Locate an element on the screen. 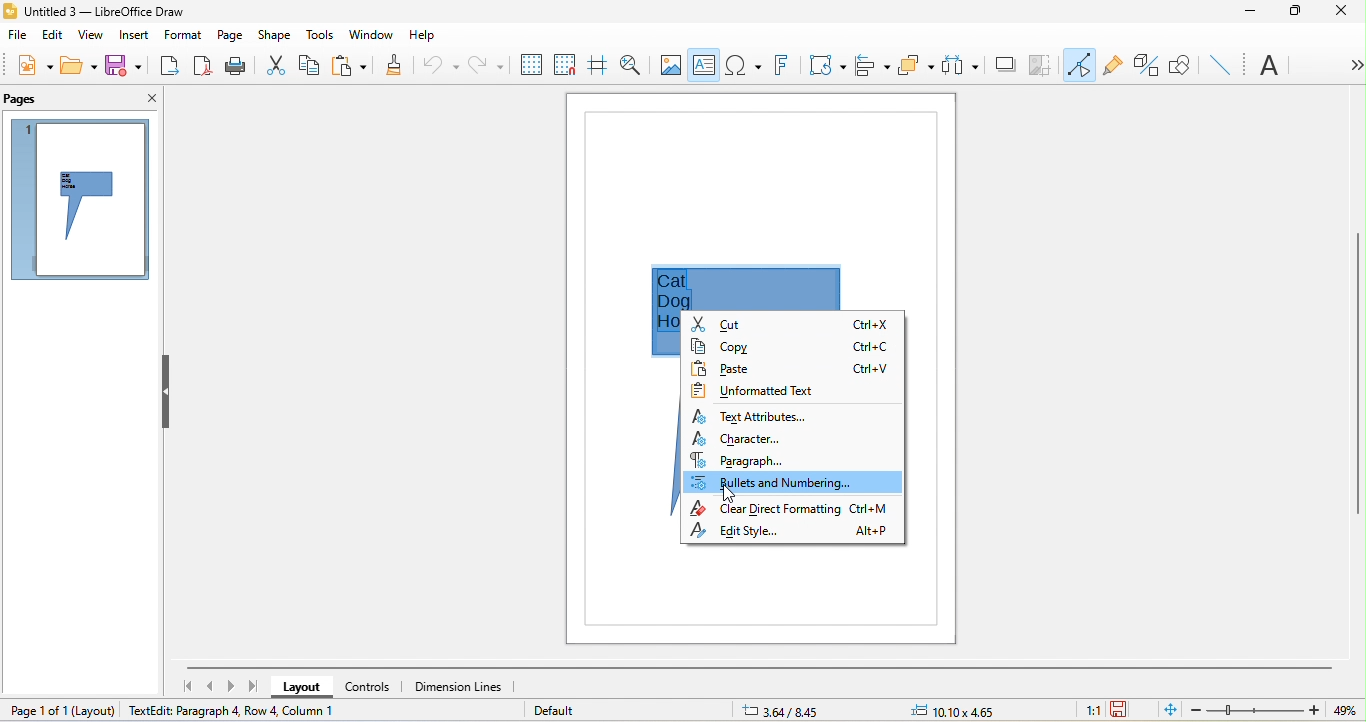  pages is located at coordinates (25, 98).